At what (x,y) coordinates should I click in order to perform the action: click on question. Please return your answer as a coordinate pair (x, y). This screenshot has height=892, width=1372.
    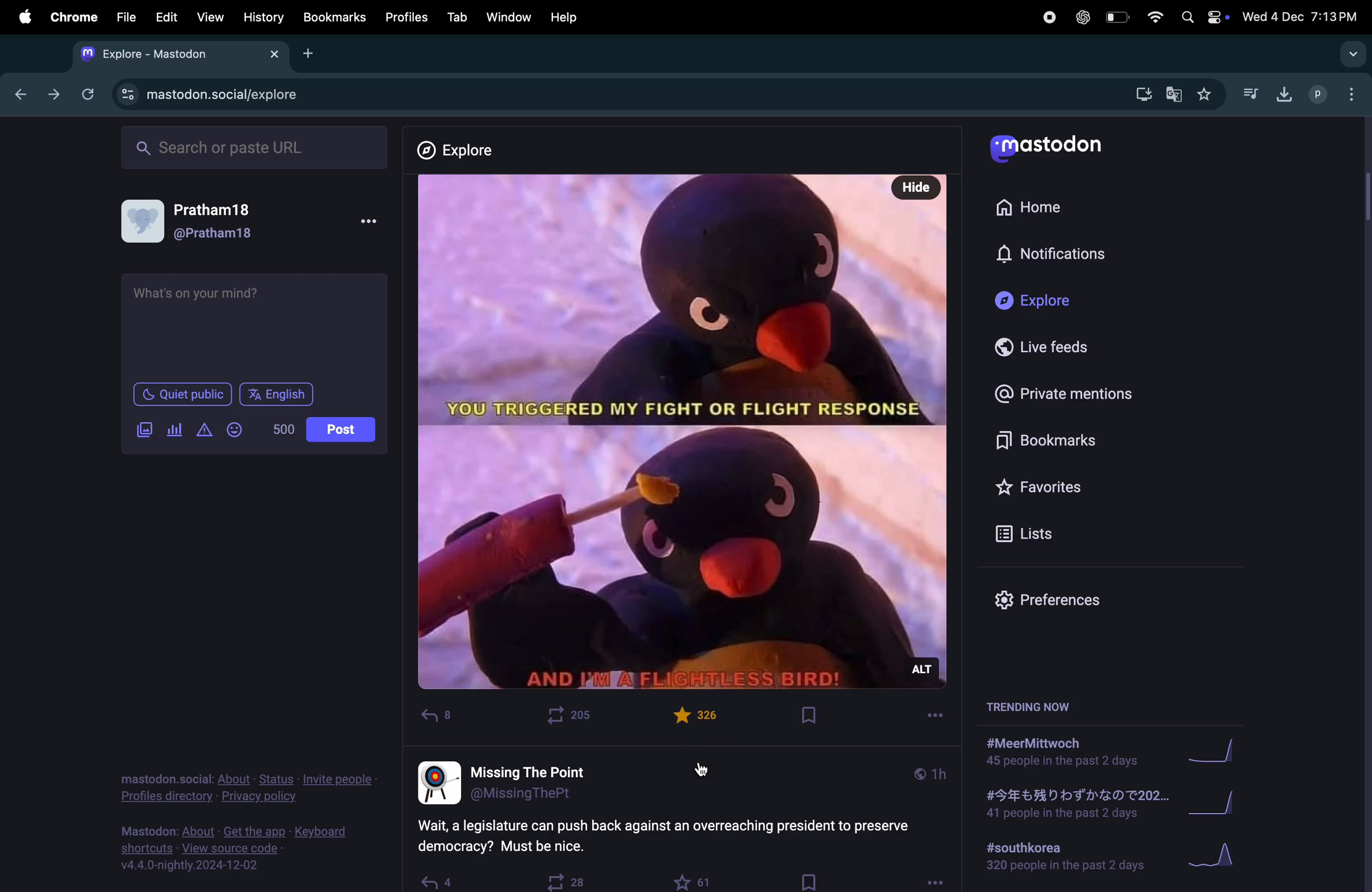
    Looking at the image, I should click on (679, 836).